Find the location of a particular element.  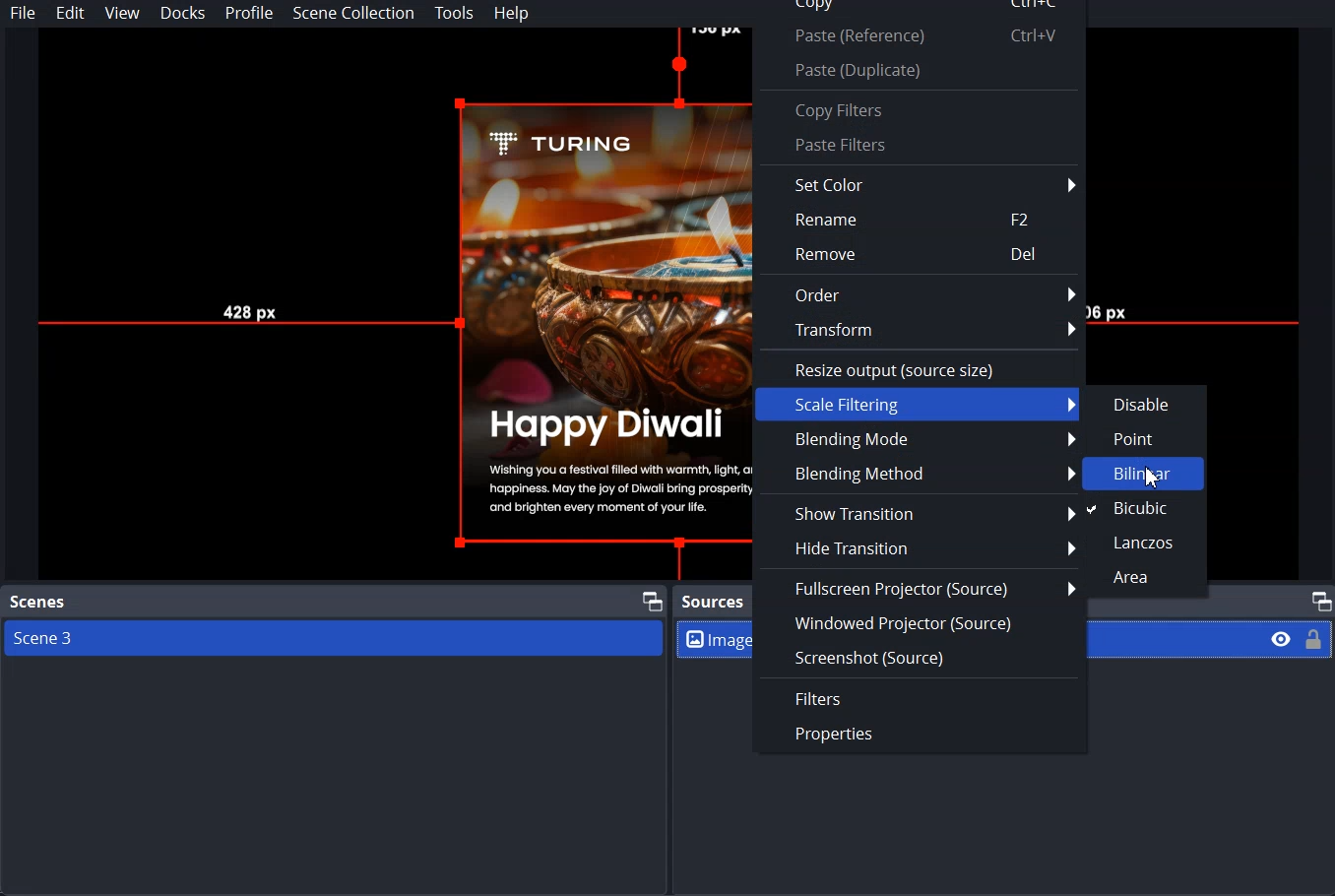

Maximize is located at coordinates (652, 599).